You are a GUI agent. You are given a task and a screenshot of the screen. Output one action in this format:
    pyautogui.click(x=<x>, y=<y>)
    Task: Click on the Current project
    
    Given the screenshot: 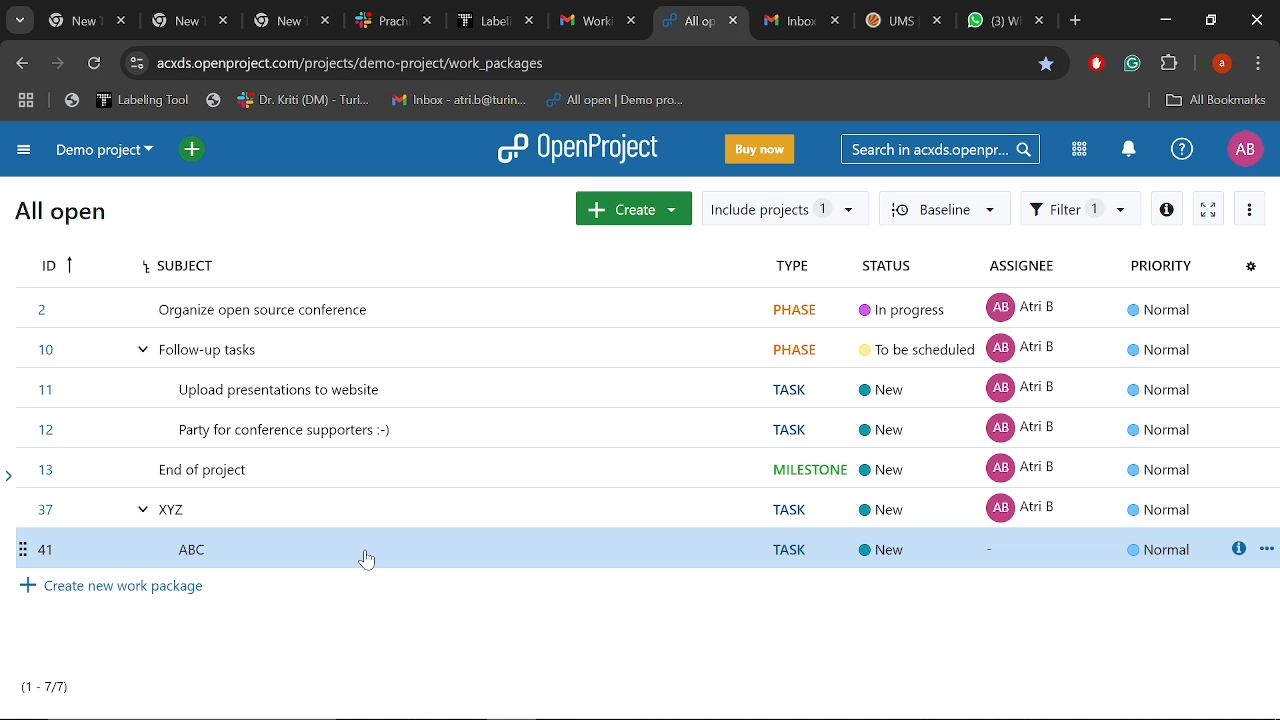 What is the action you would take?
    pyautogui.click(x=103, y=150)
    